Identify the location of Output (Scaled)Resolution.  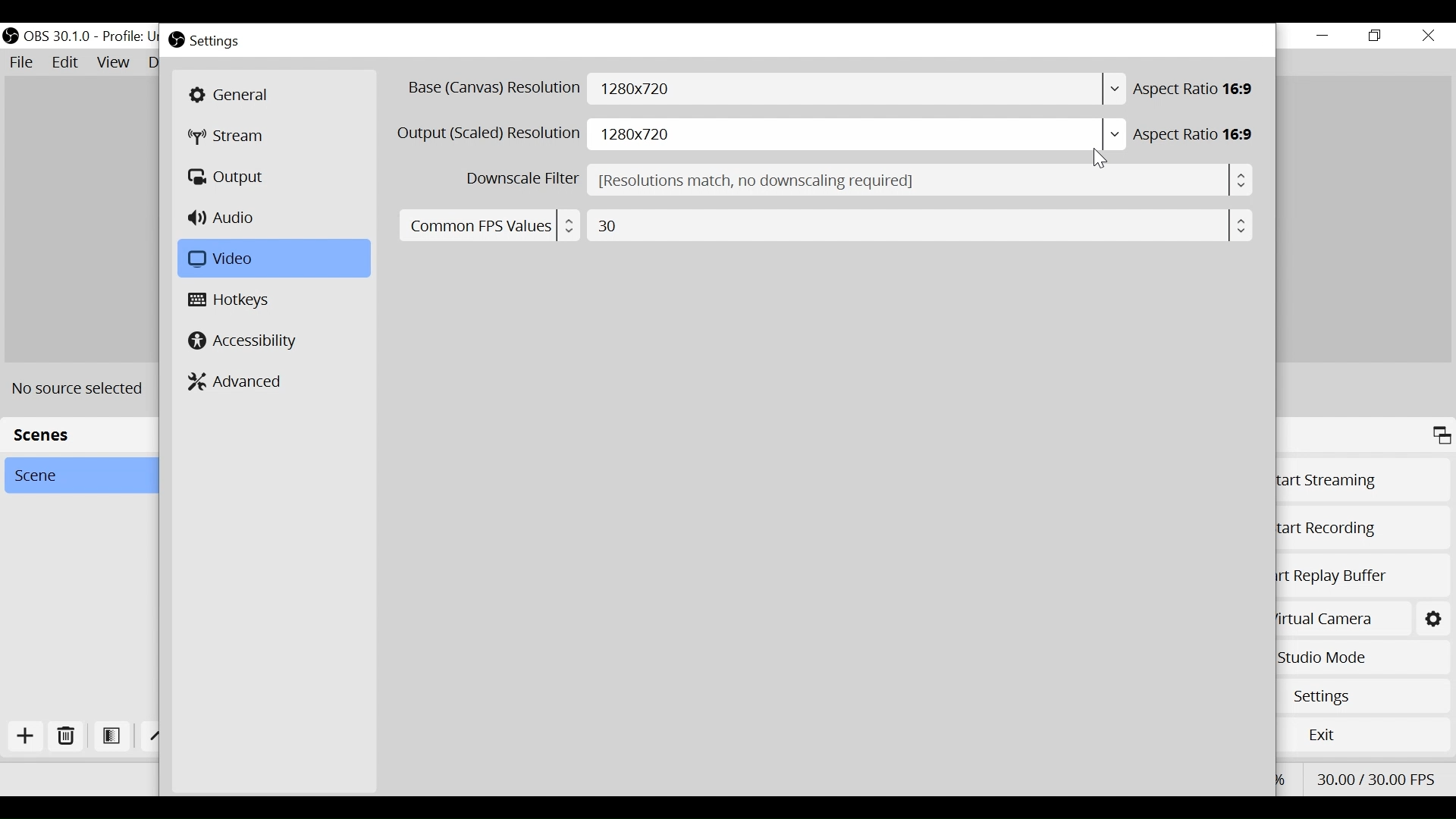
(489, 133).